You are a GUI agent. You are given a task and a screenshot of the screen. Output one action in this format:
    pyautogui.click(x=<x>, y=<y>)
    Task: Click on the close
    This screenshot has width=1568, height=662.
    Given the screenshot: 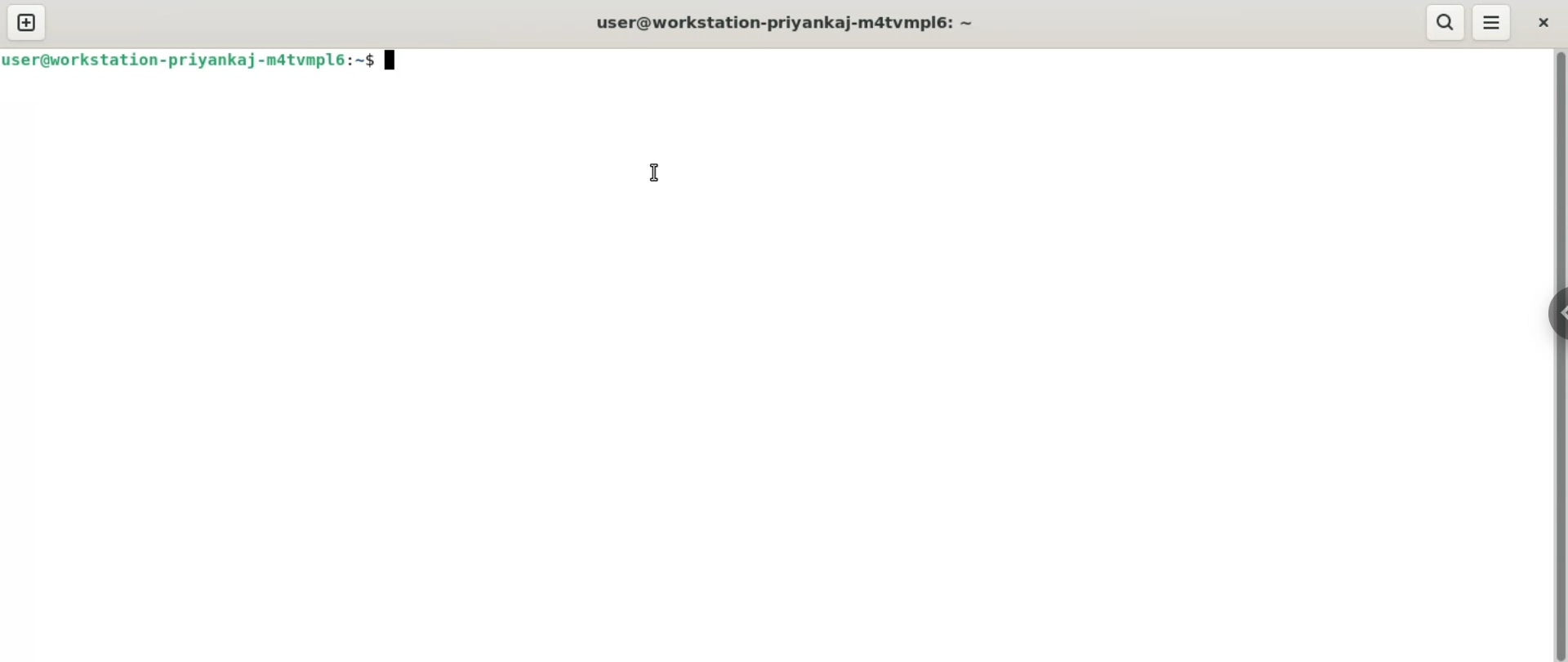 What is the action you would take?
    pyautogui.click(x=1547, y=21)
    